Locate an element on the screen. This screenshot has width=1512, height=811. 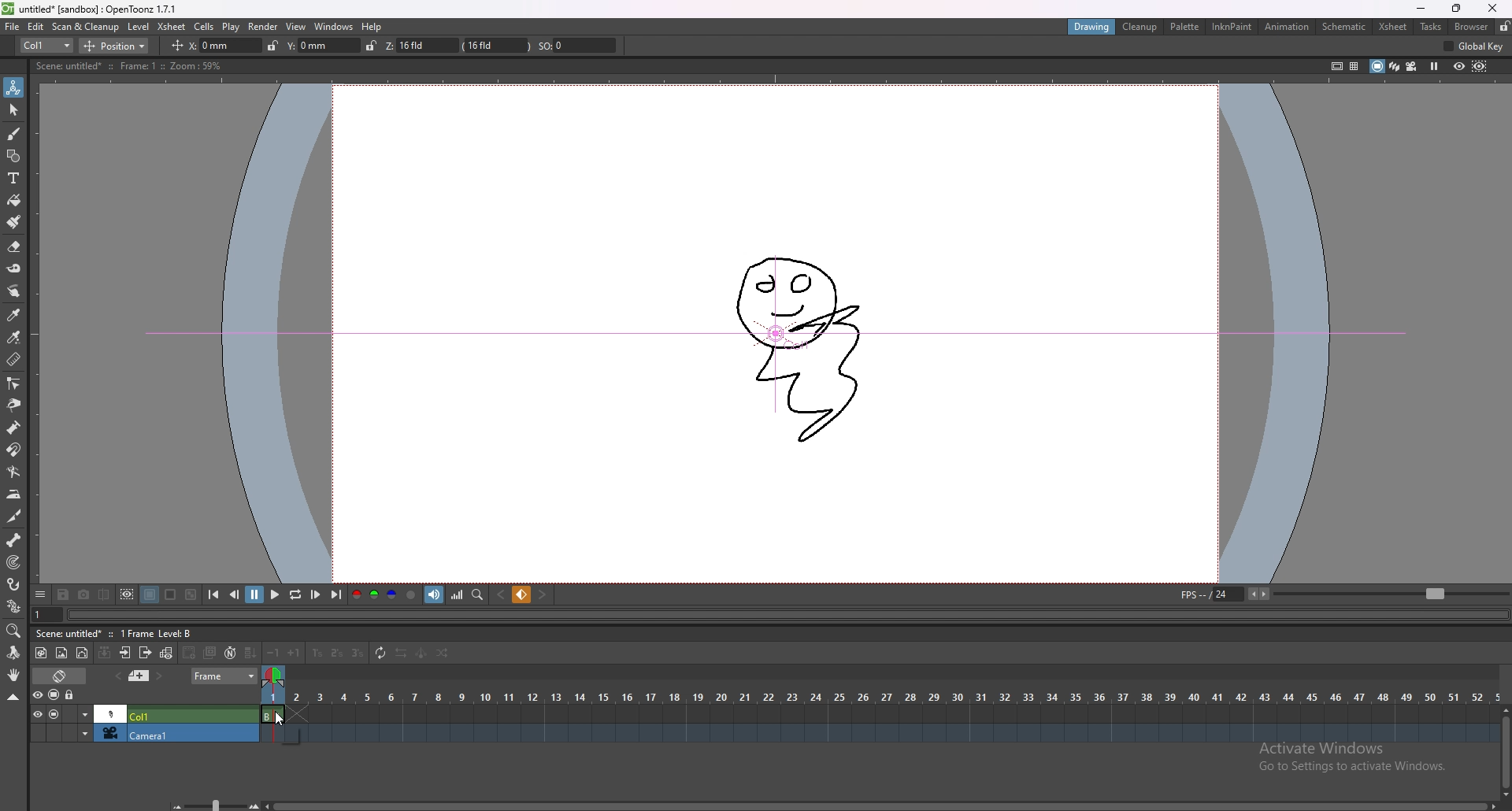
view is located at coordinates (297, 27).